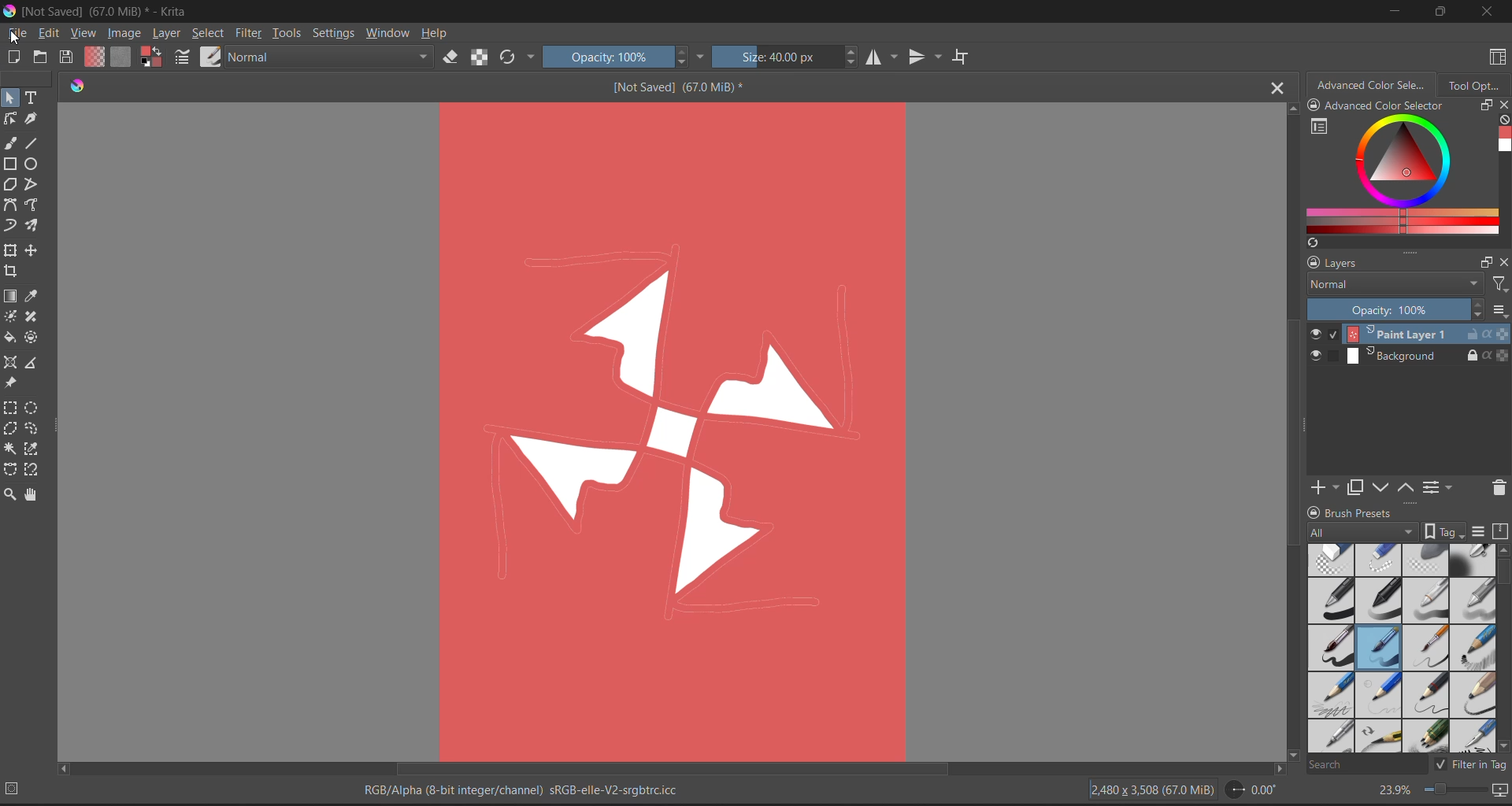 The width and height of the screenshot is (1512, 806). What do you see at coordinates (183, 59) in the screenshot?
I see `edit brush settings` at bounding box center [183, 59].